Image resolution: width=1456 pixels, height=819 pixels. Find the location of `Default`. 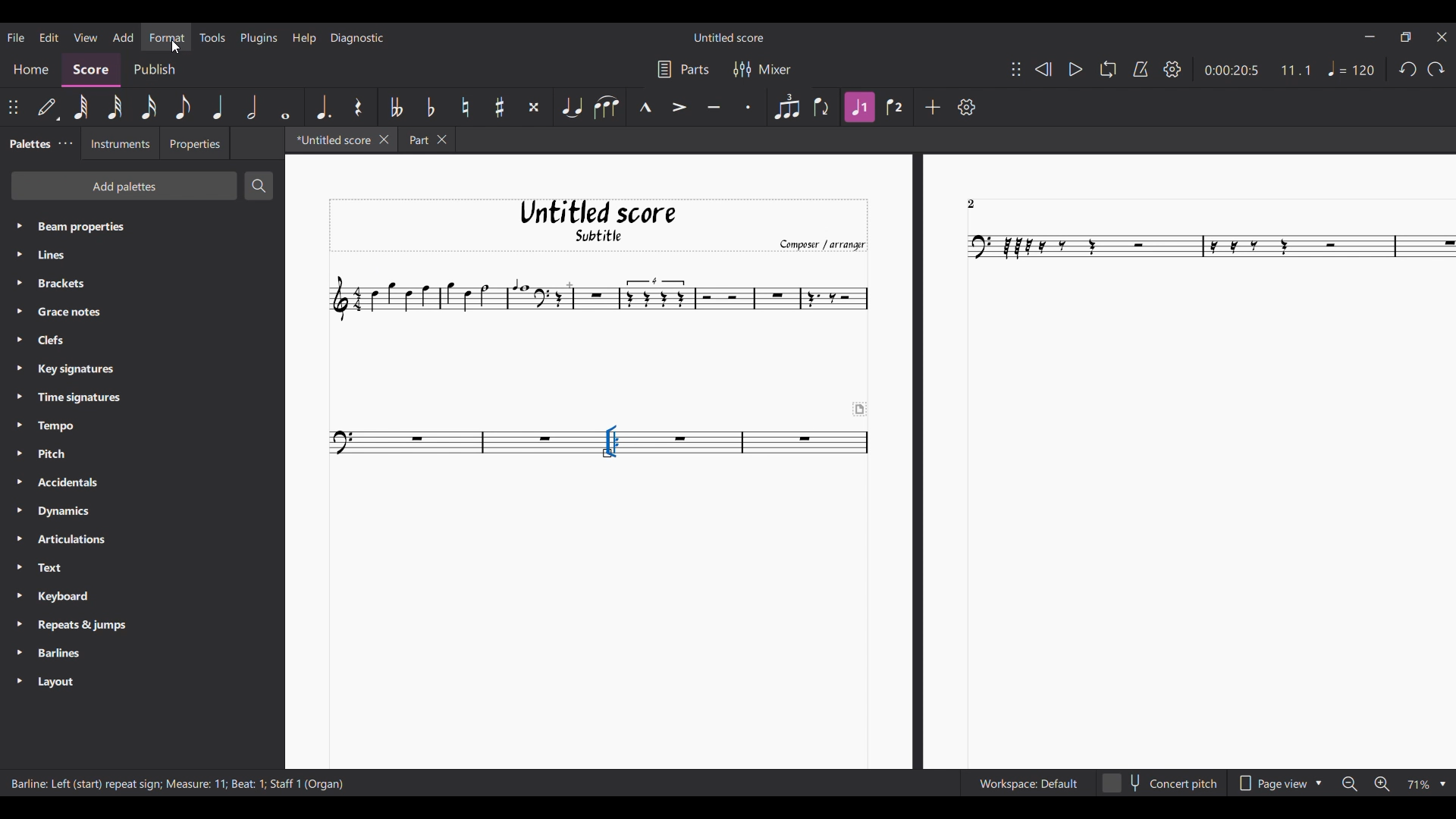

Default is located at coordinates (49, 108).